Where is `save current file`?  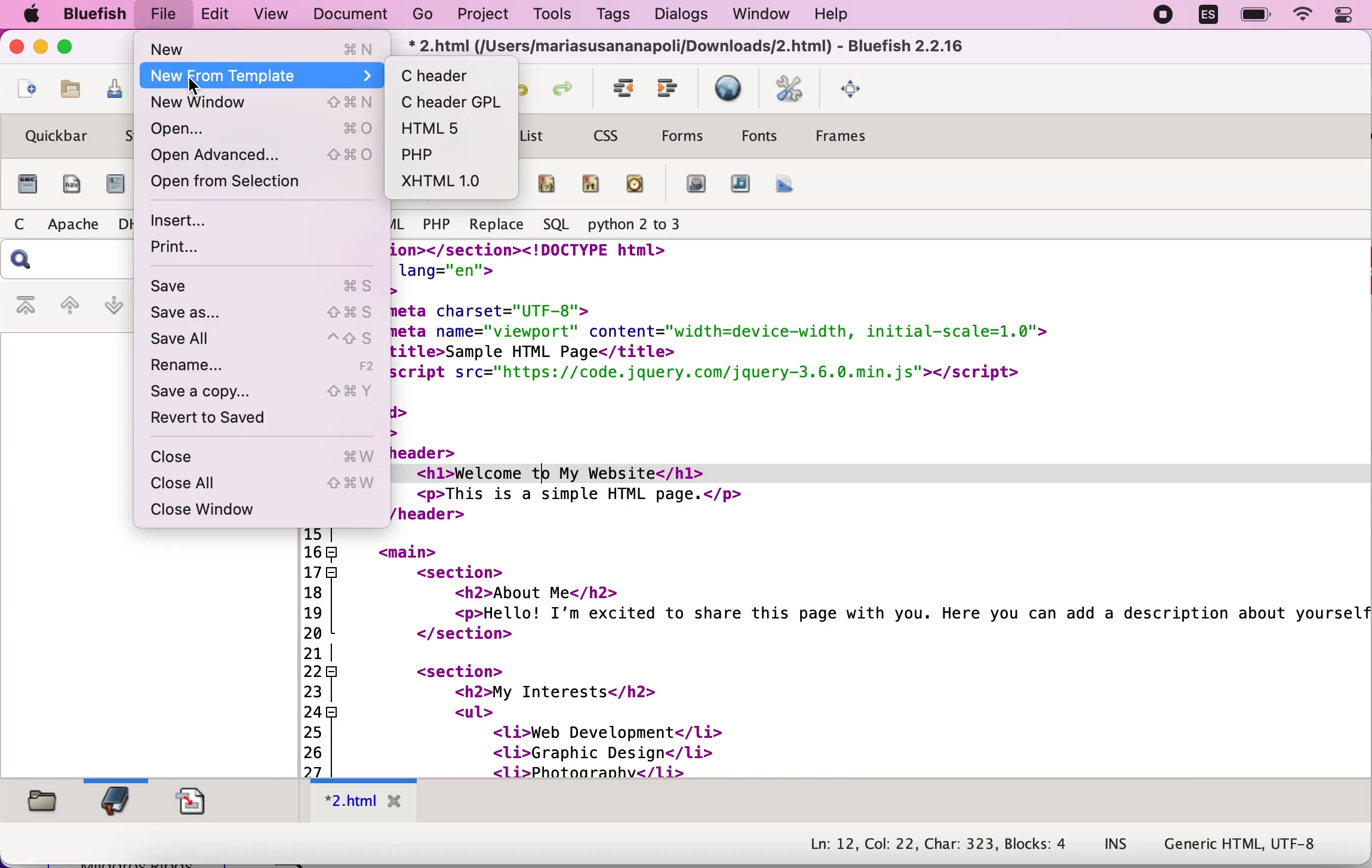
save current file is located at coordinates (108, 91).